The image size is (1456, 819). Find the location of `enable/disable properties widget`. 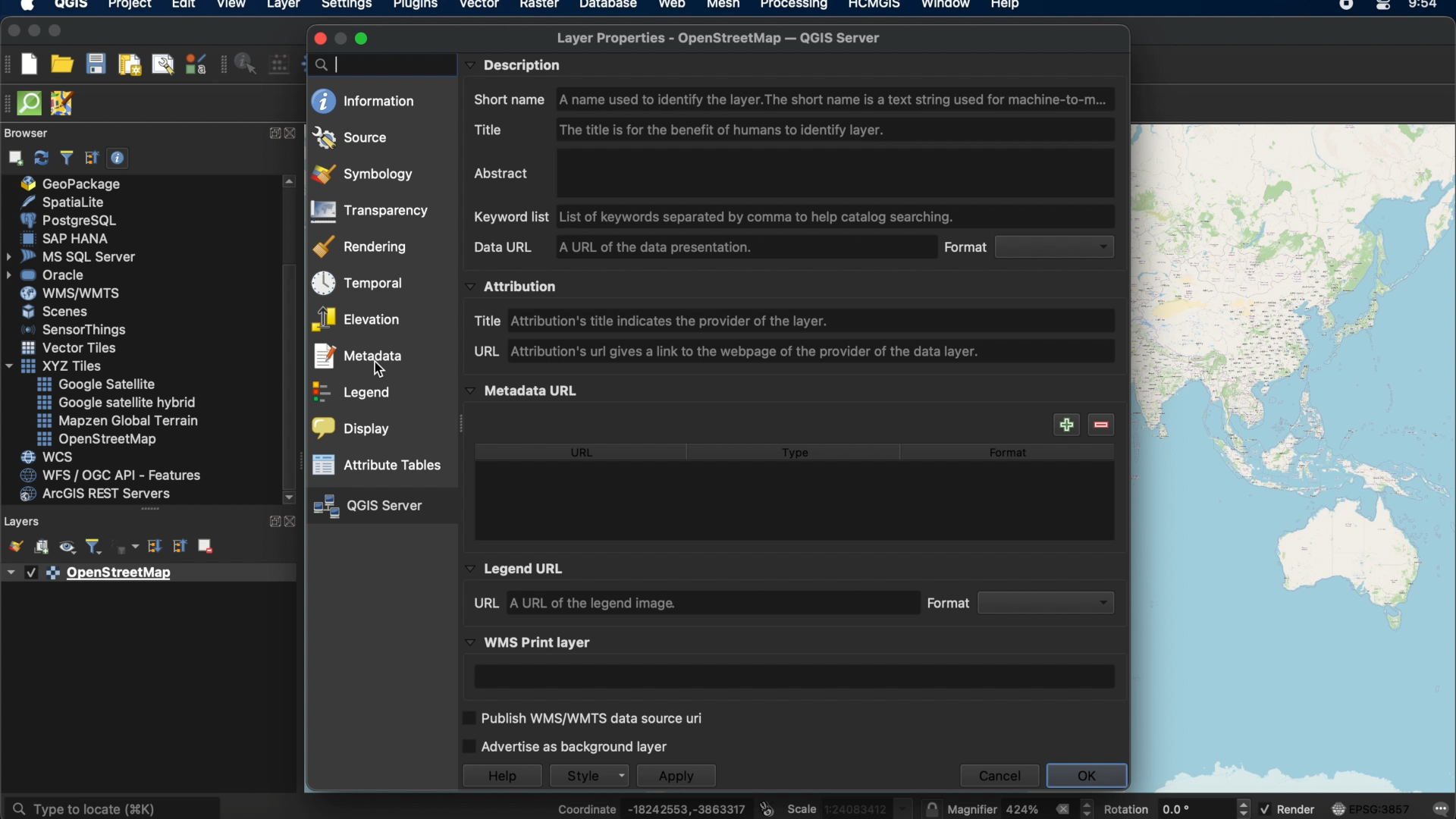

enable/disable properties widget is located at coordinates (118, 158).